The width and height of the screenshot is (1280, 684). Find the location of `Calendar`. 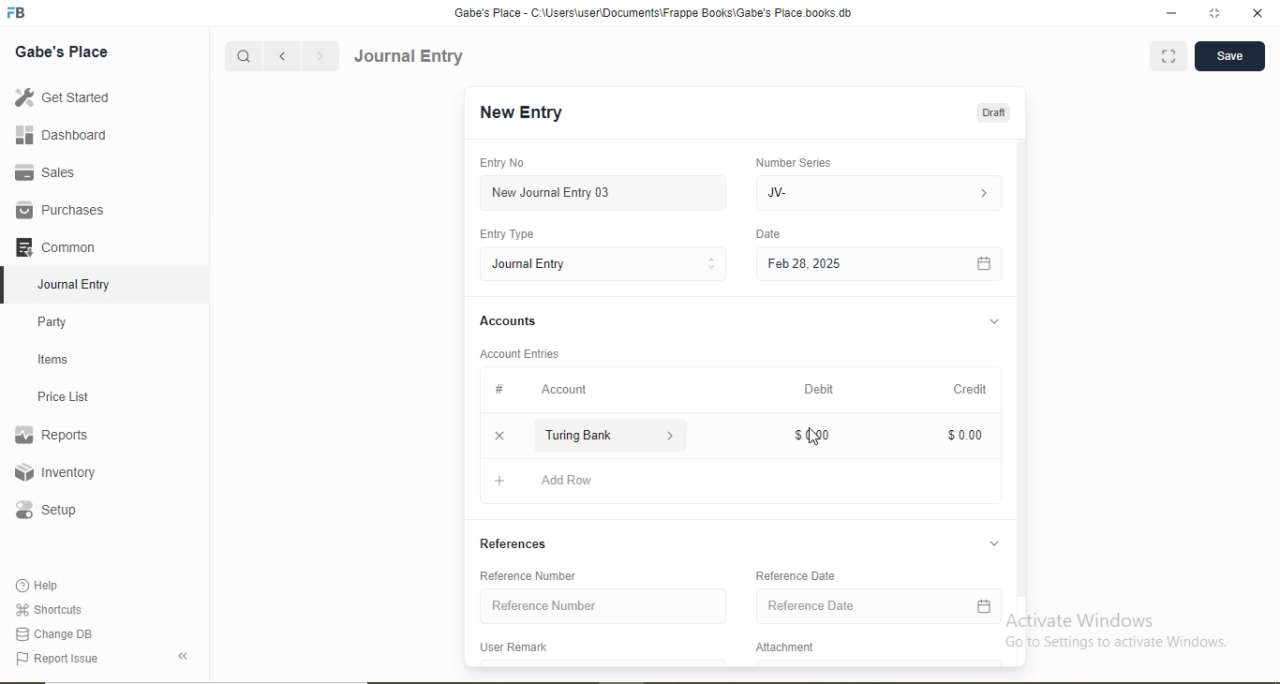

Calendar is located at coordinates (984, 265).